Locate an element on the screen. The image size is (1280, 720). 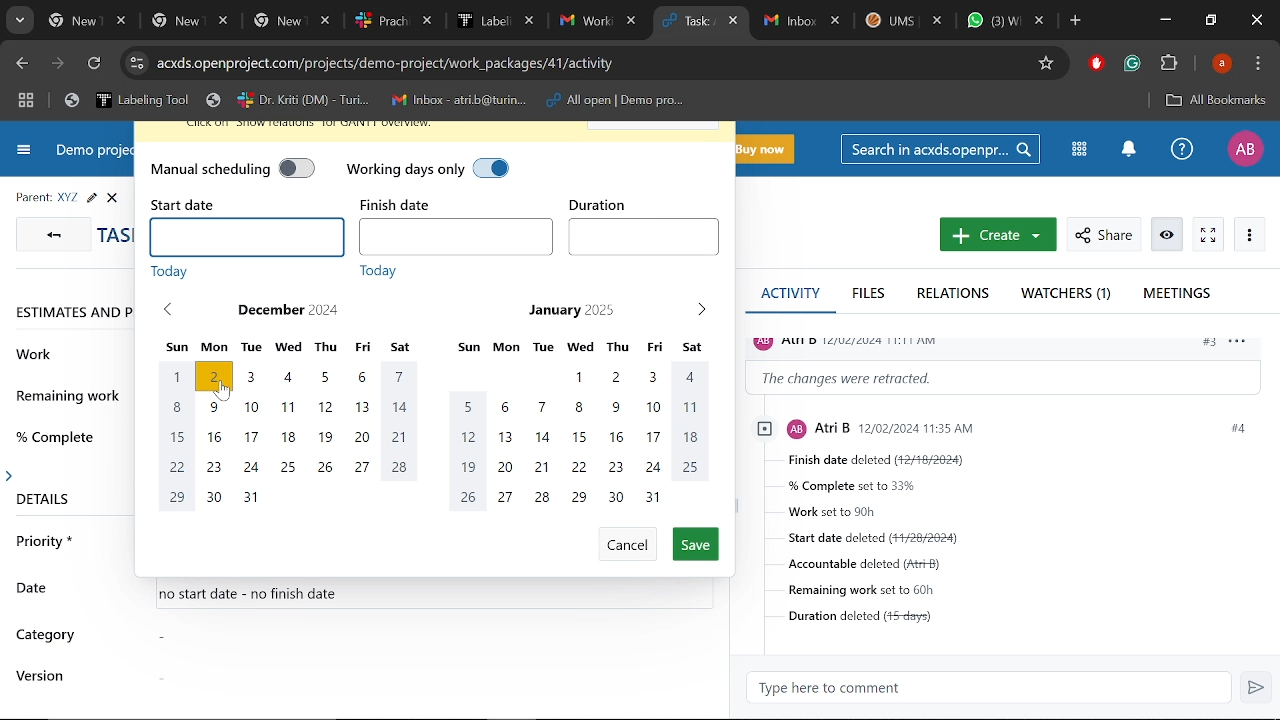
today is located at coordinates (381, 269).